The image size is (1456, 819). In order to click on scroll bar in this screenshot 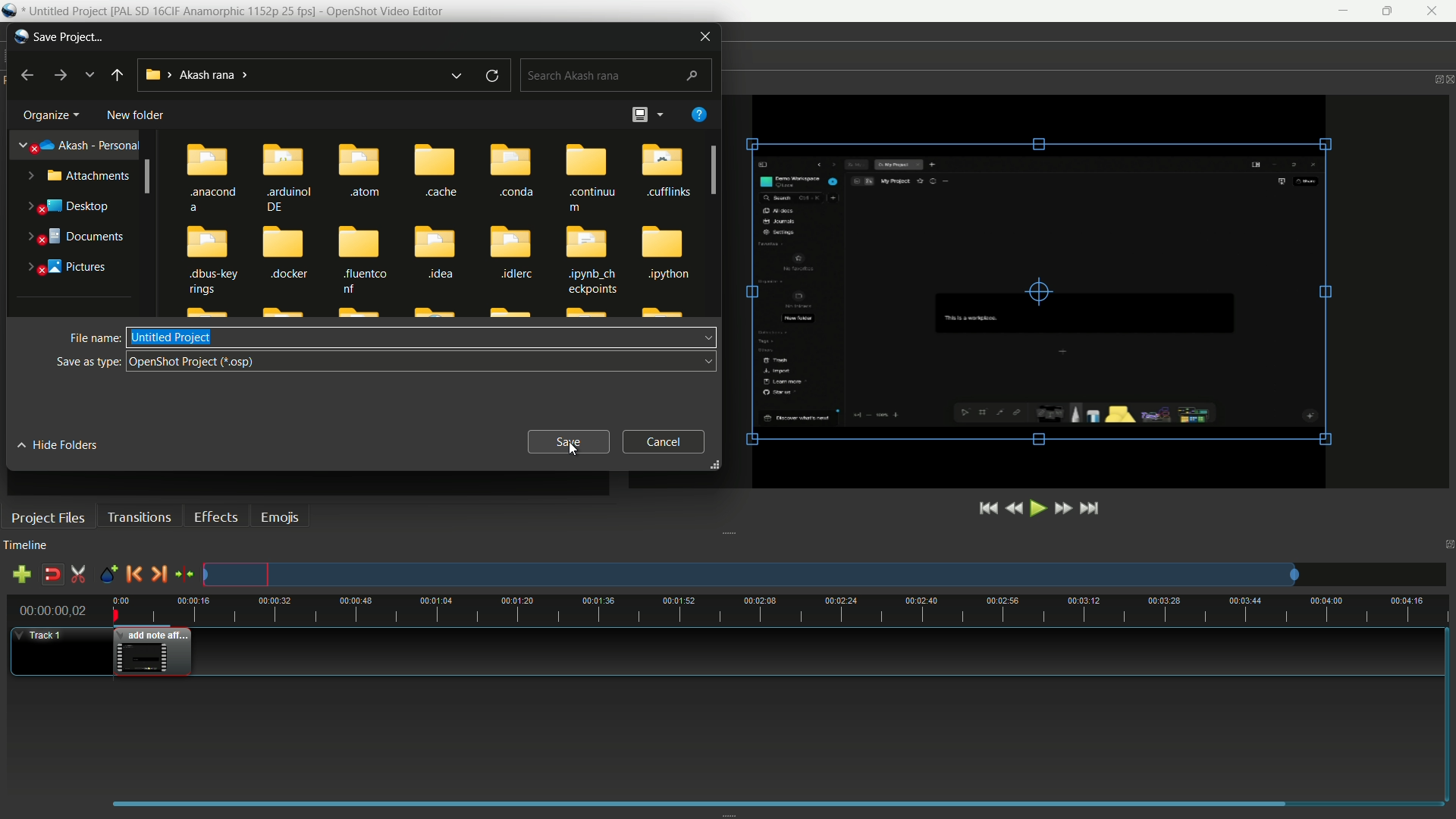, I will do `click(148, 176)`.